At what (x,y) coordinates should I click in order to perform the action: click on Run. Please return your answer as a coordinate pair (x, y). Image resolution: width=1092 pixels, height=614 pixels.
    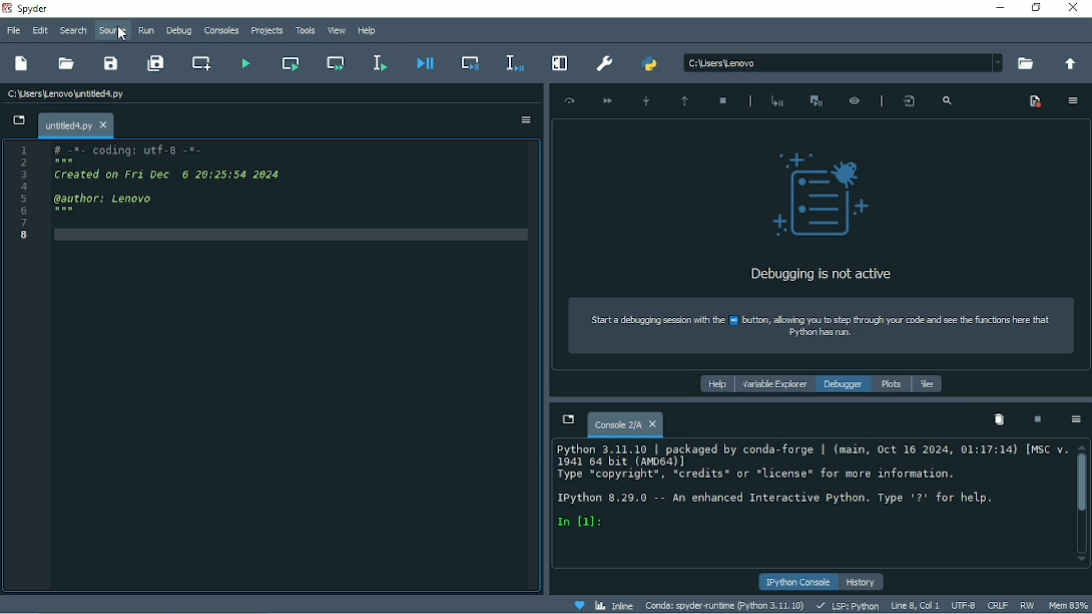
    Looking at the image, I should click on (145, 30).